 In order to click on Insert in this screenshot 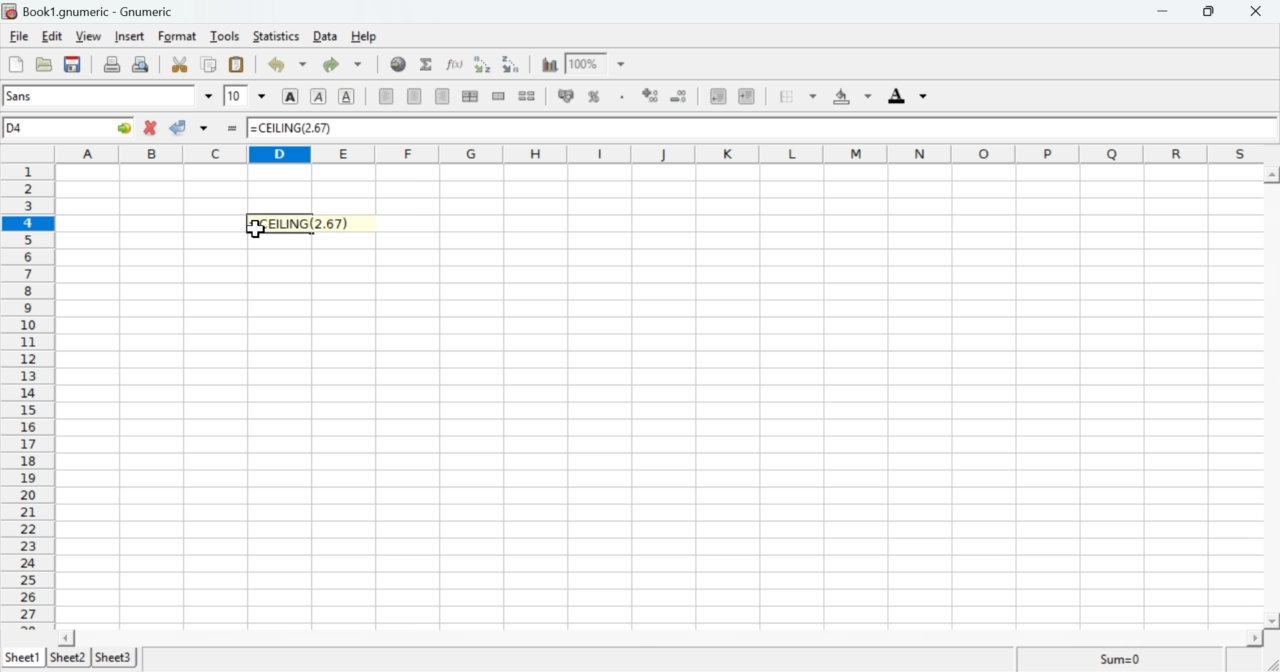, I will do `click(130, 36)`.